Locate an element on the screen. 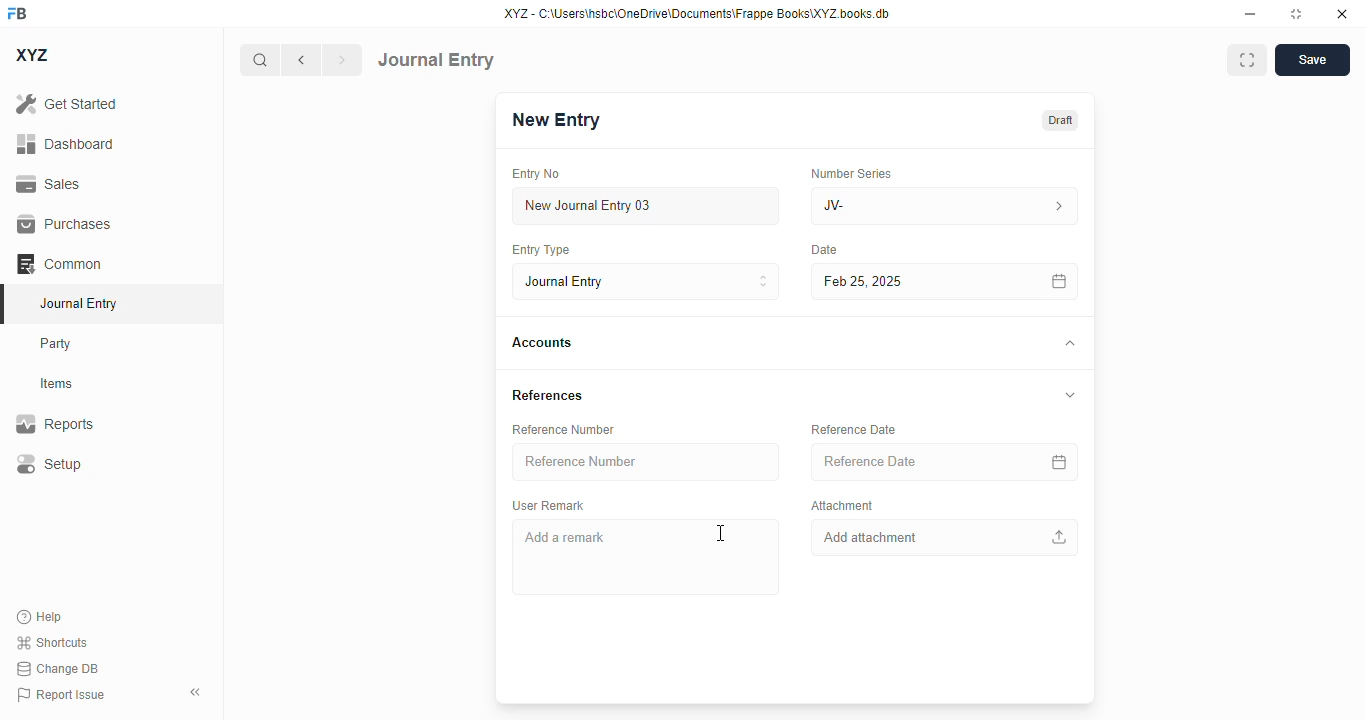 Image resolution: width=1366 pixels, height=720 pixels. help is located at coordinates (40, 617).